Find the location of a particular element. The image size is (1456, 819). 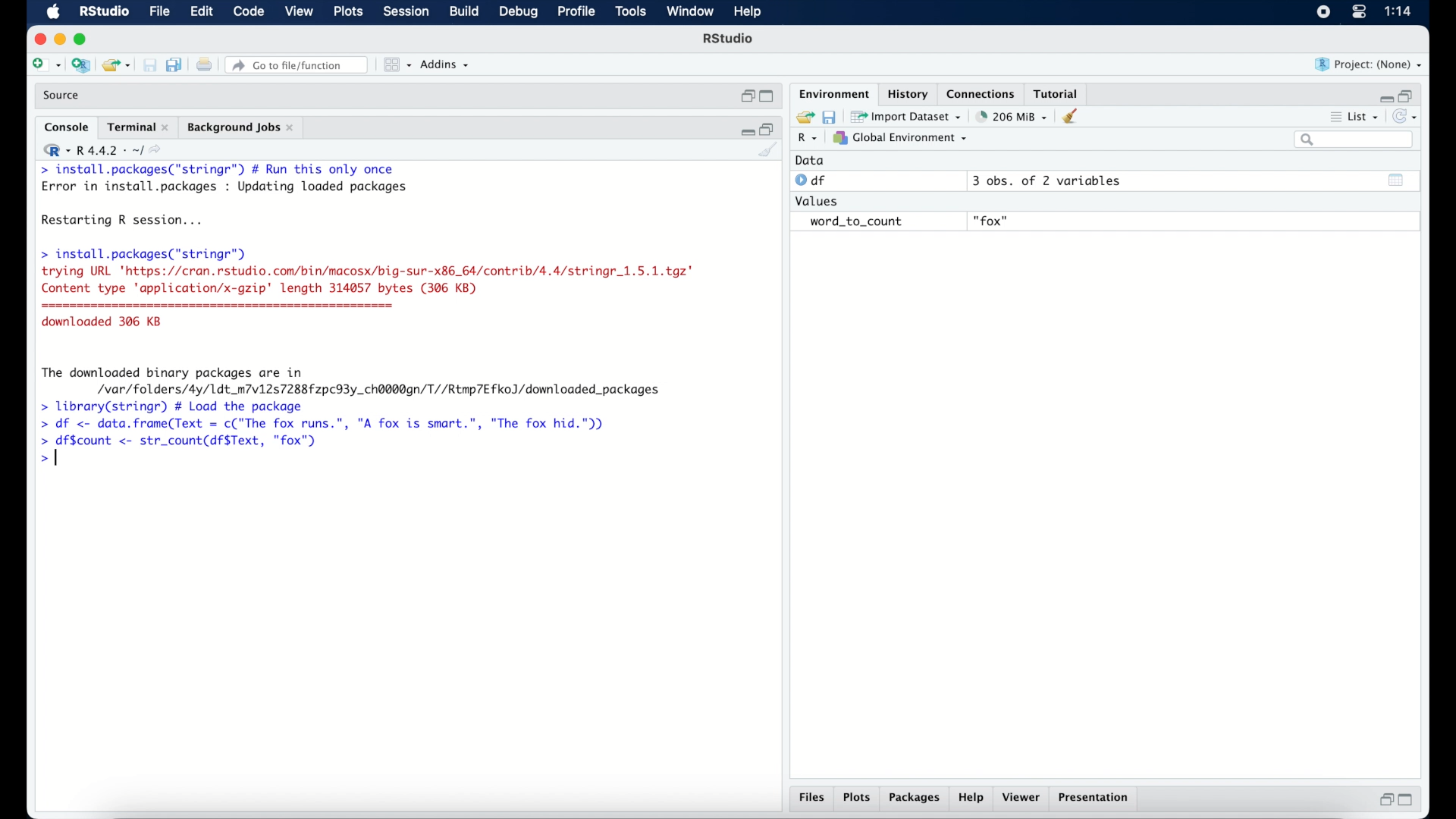

addins is located at coordinates (445, 64).